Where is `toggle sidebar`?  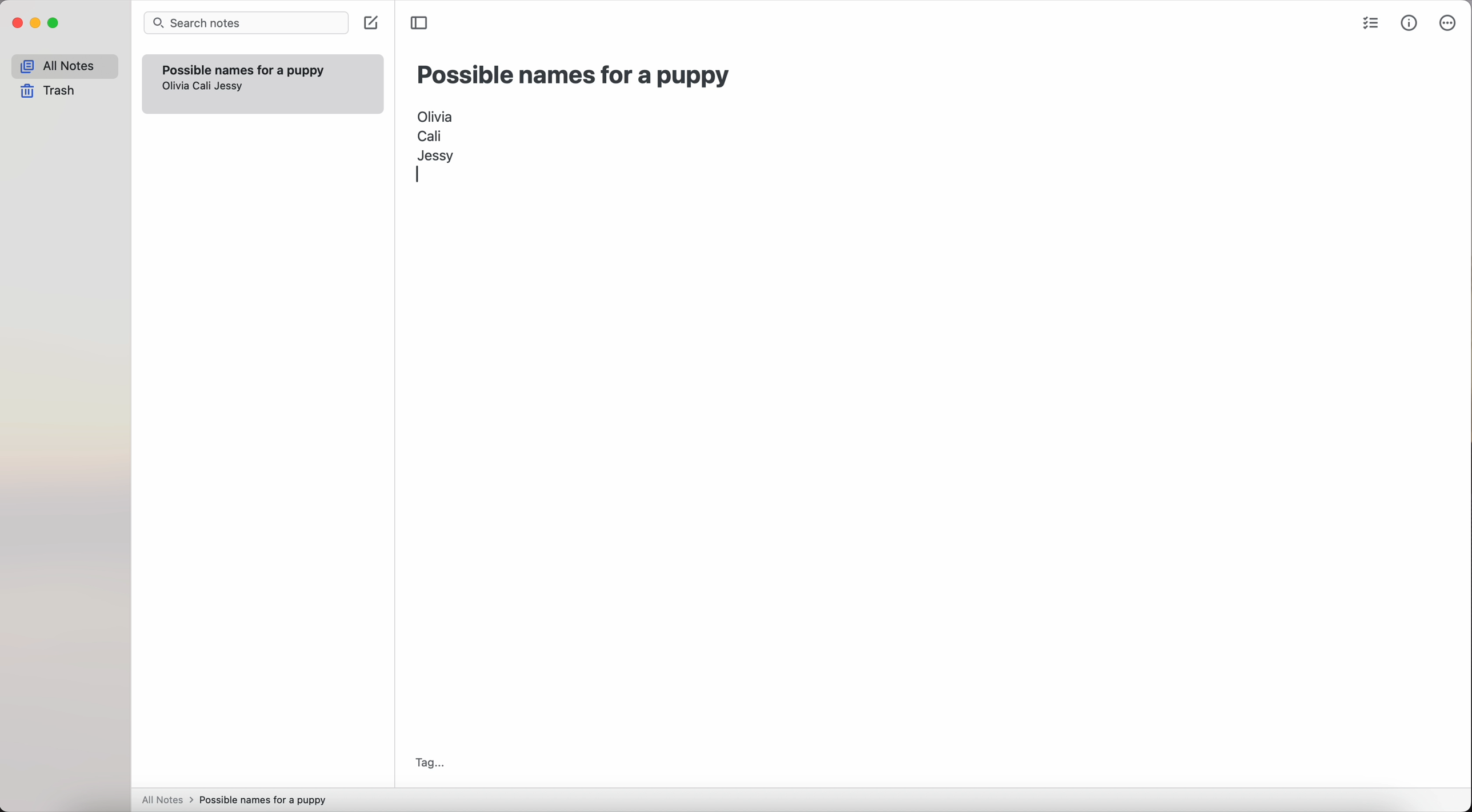
toggle sidebar is located at coordinates (421, 22).